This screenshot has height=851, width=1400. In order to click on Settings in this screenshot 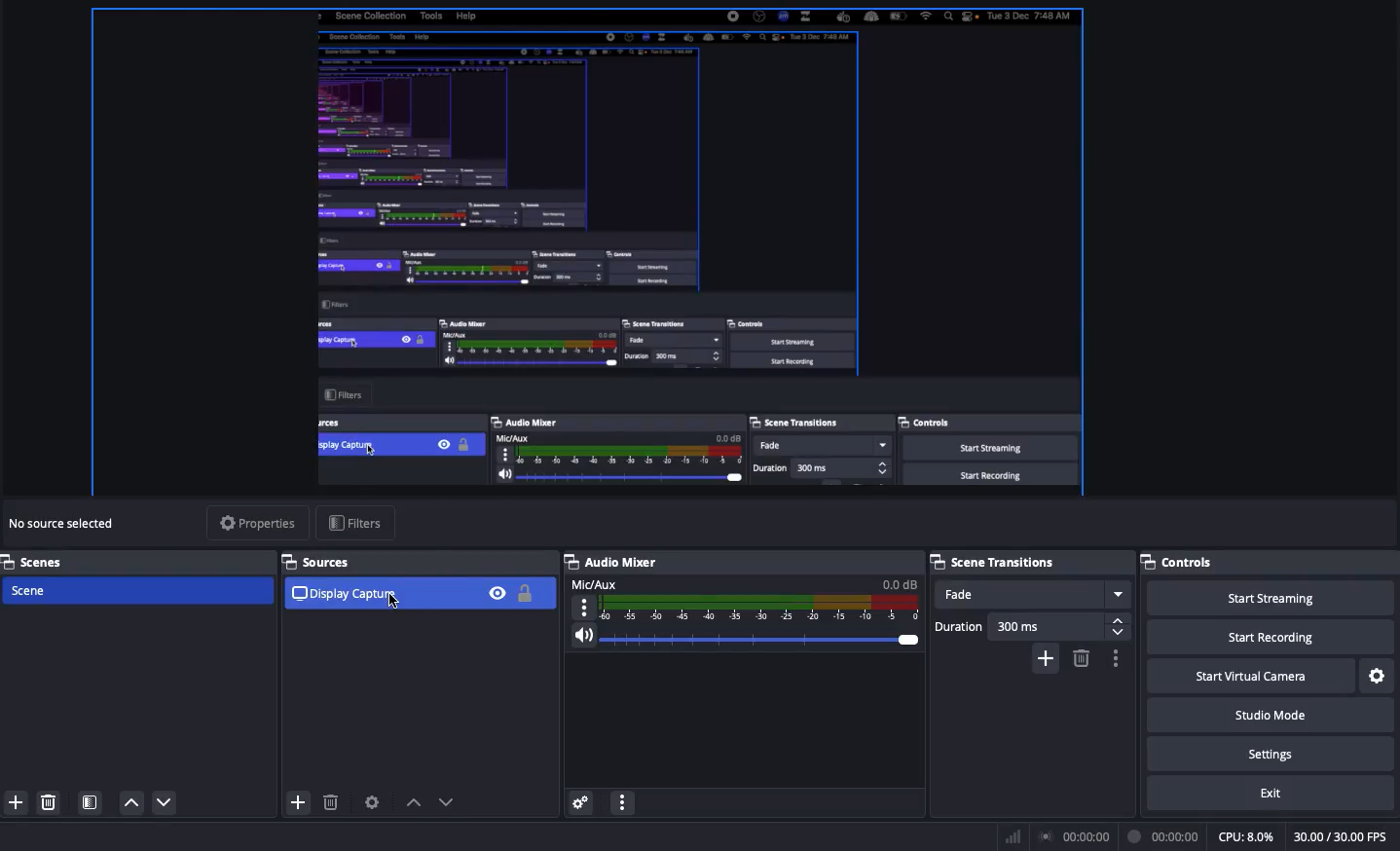, I will do `click(375, 803)`.